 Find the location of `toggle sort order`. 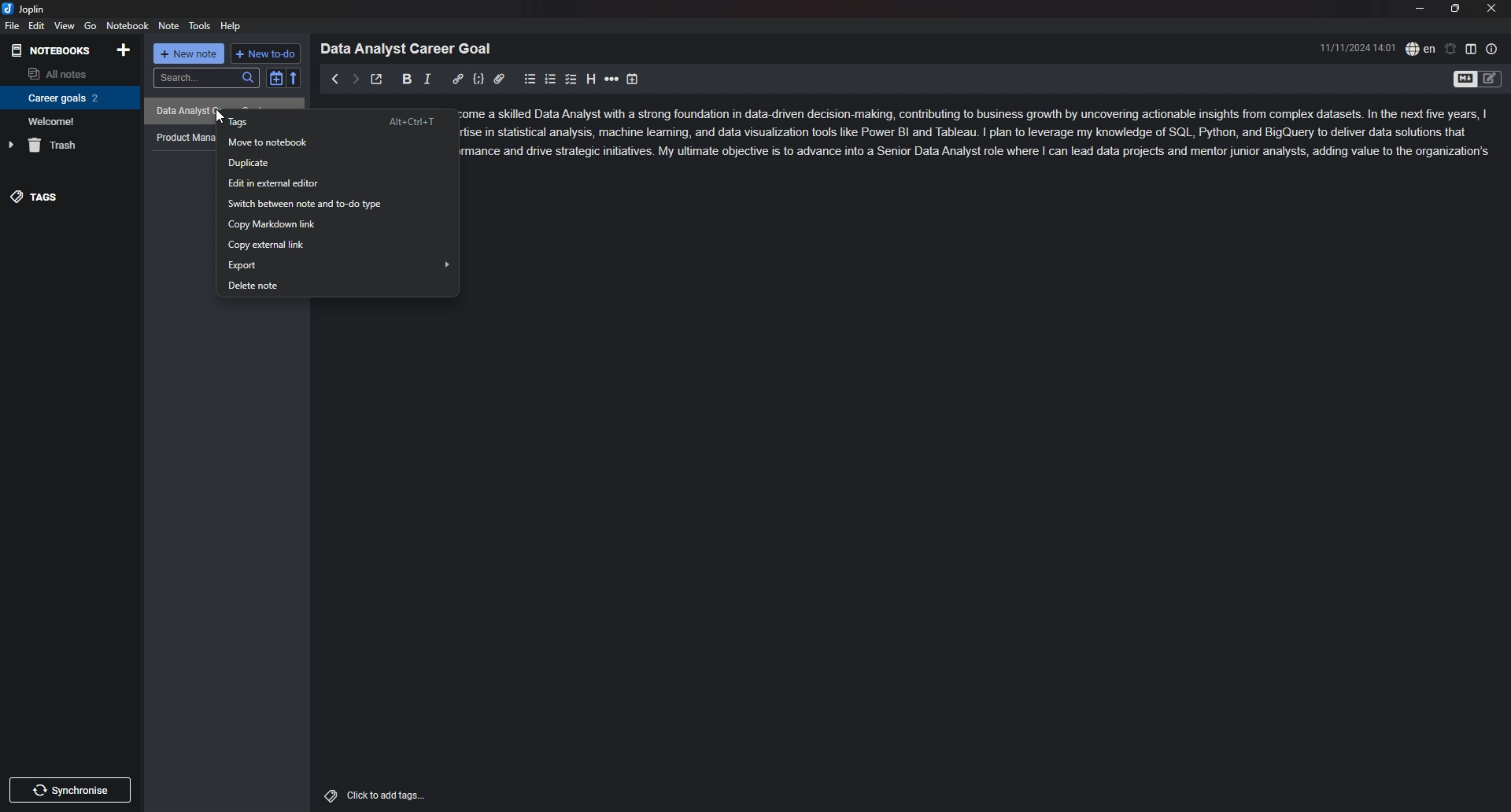

toggle sort order is located at coordinates (275, 78).